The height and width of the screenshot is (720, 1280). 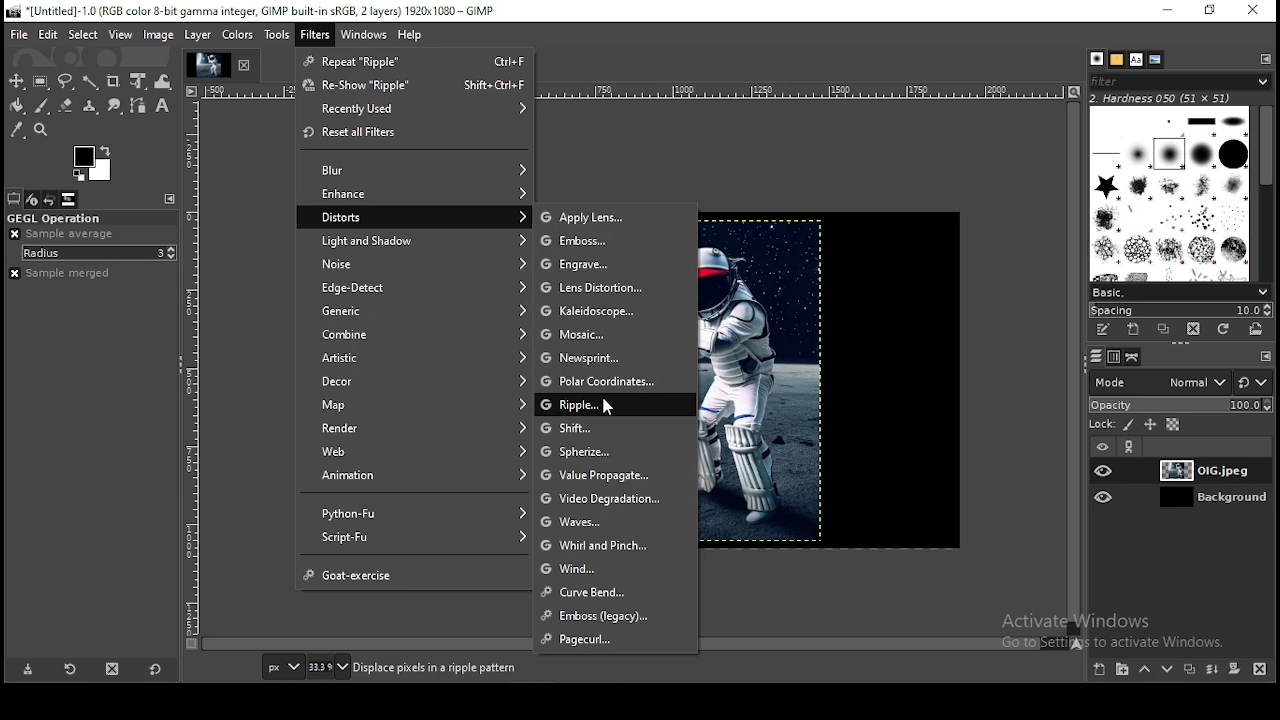 What do you see at coordinates (615, 520) in the screenshot?
I see `waves` at bounding box center [615, 520].